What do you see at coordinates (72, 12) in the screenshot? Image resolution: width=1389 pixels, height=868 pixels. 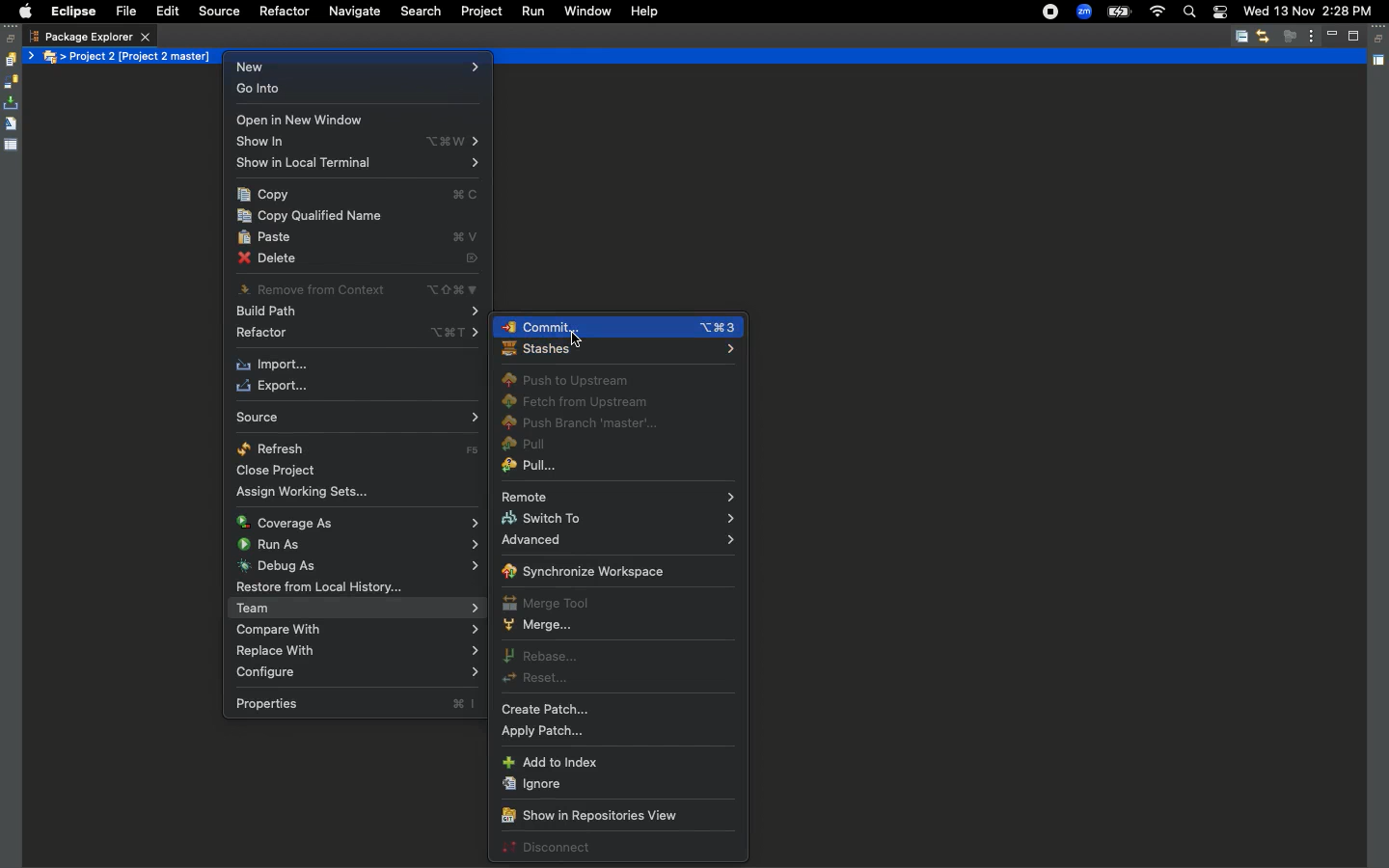 I see `Eclipse` at bounding box center [72, 12].